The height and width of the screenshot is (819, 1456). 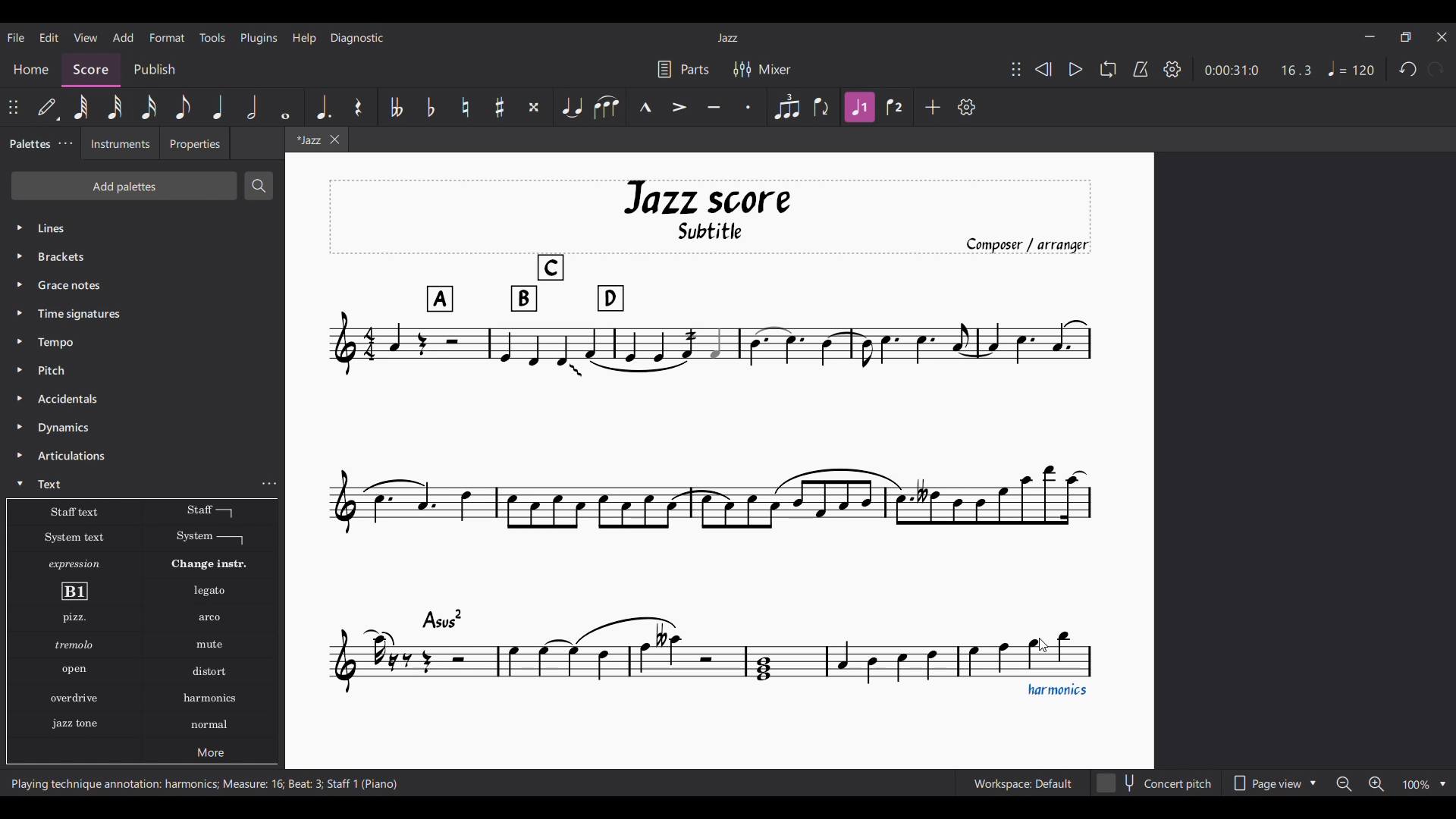 What do you see at coordinates (1041, 648) in the screenshot?
I see `Cursor` at bounding box center [1041, 648].